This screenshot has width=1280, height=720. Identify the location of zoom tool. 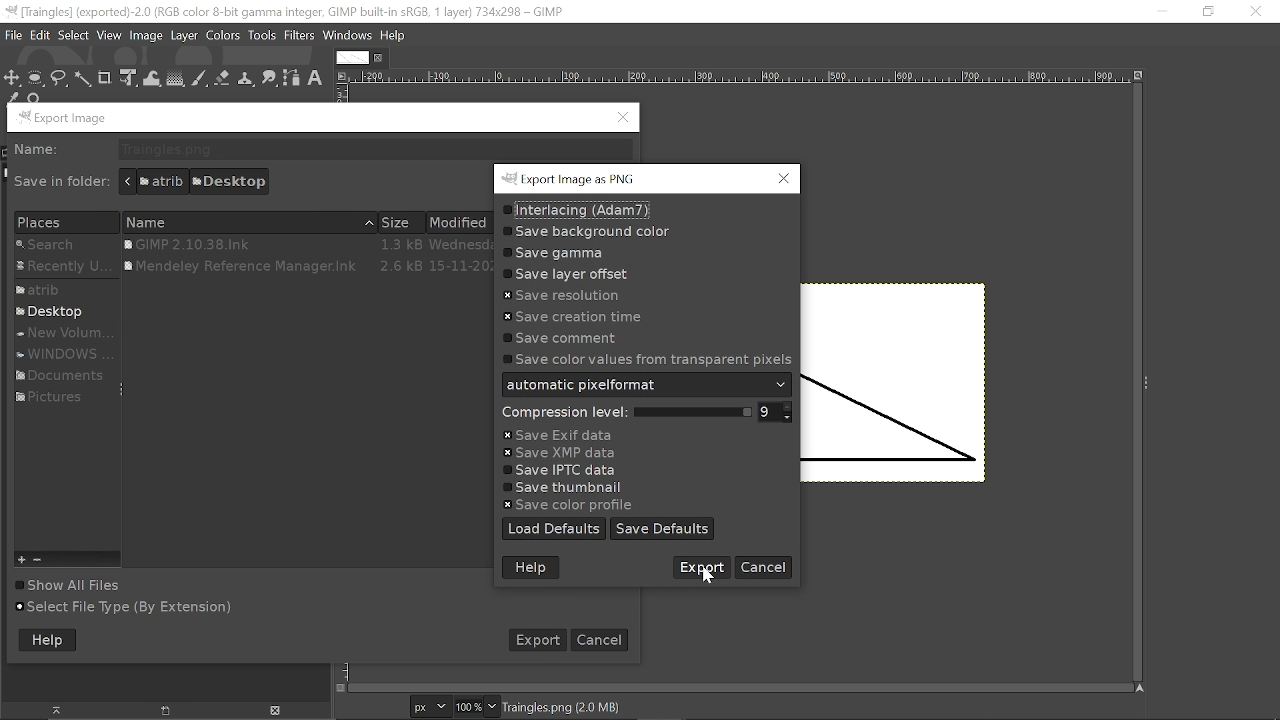
(36, 98).